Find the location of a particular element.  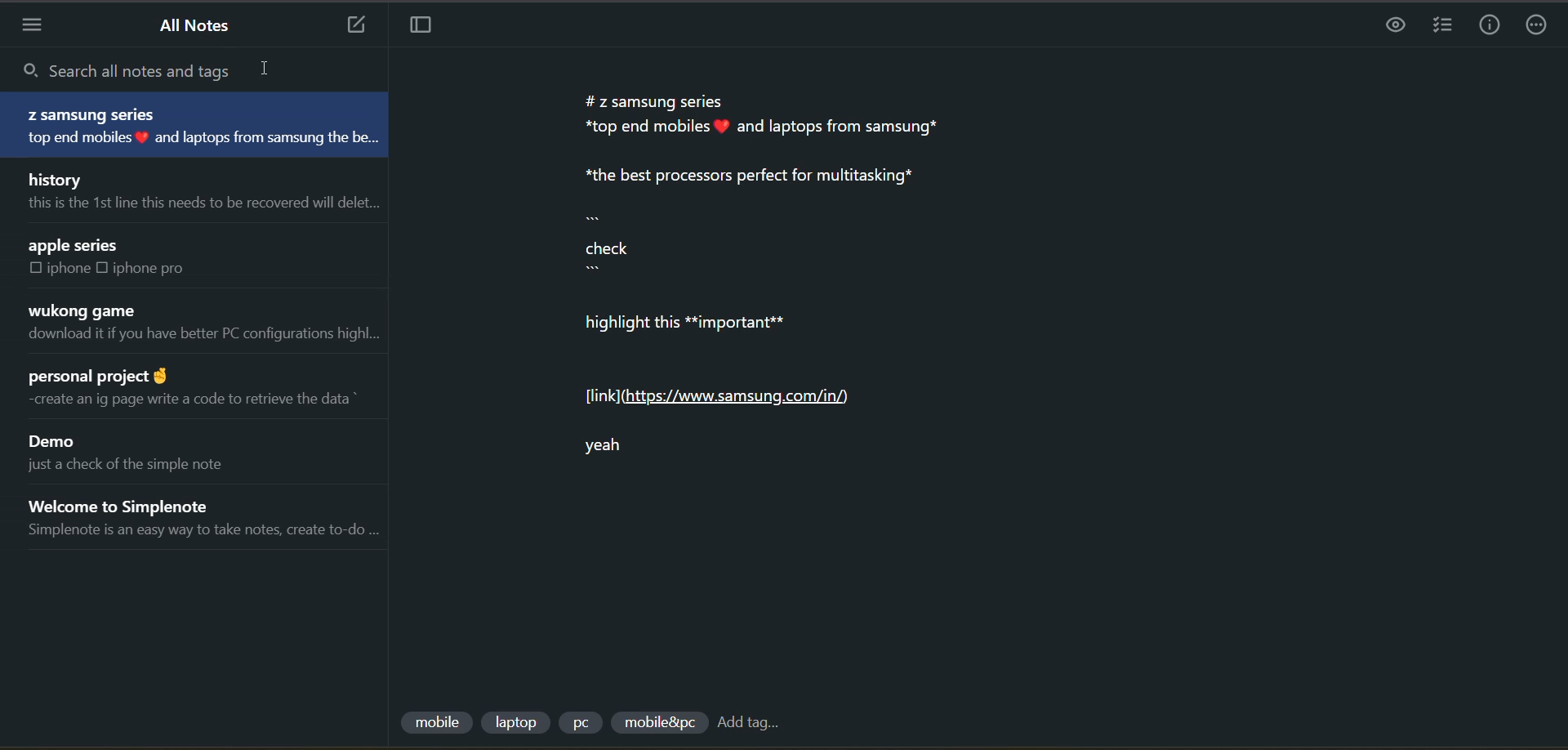

# 7 samsung series

*top end mobiles % and laptops from samsung*
*the best processors perfect for multitasking*
check

highlight this **important** is located at coordinates (780, 221).